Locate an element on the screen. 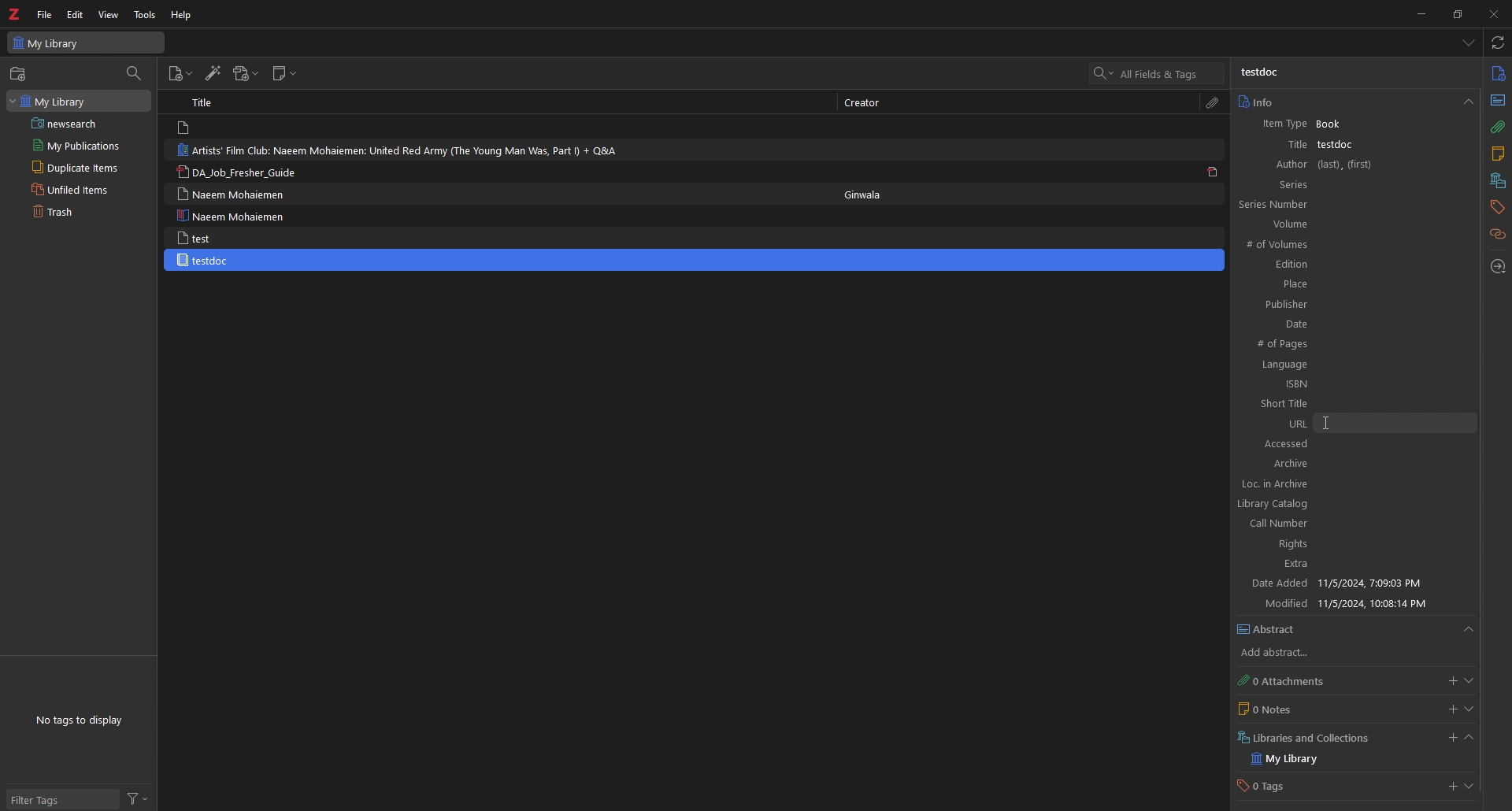  show is located at coordinates (1469, 680).